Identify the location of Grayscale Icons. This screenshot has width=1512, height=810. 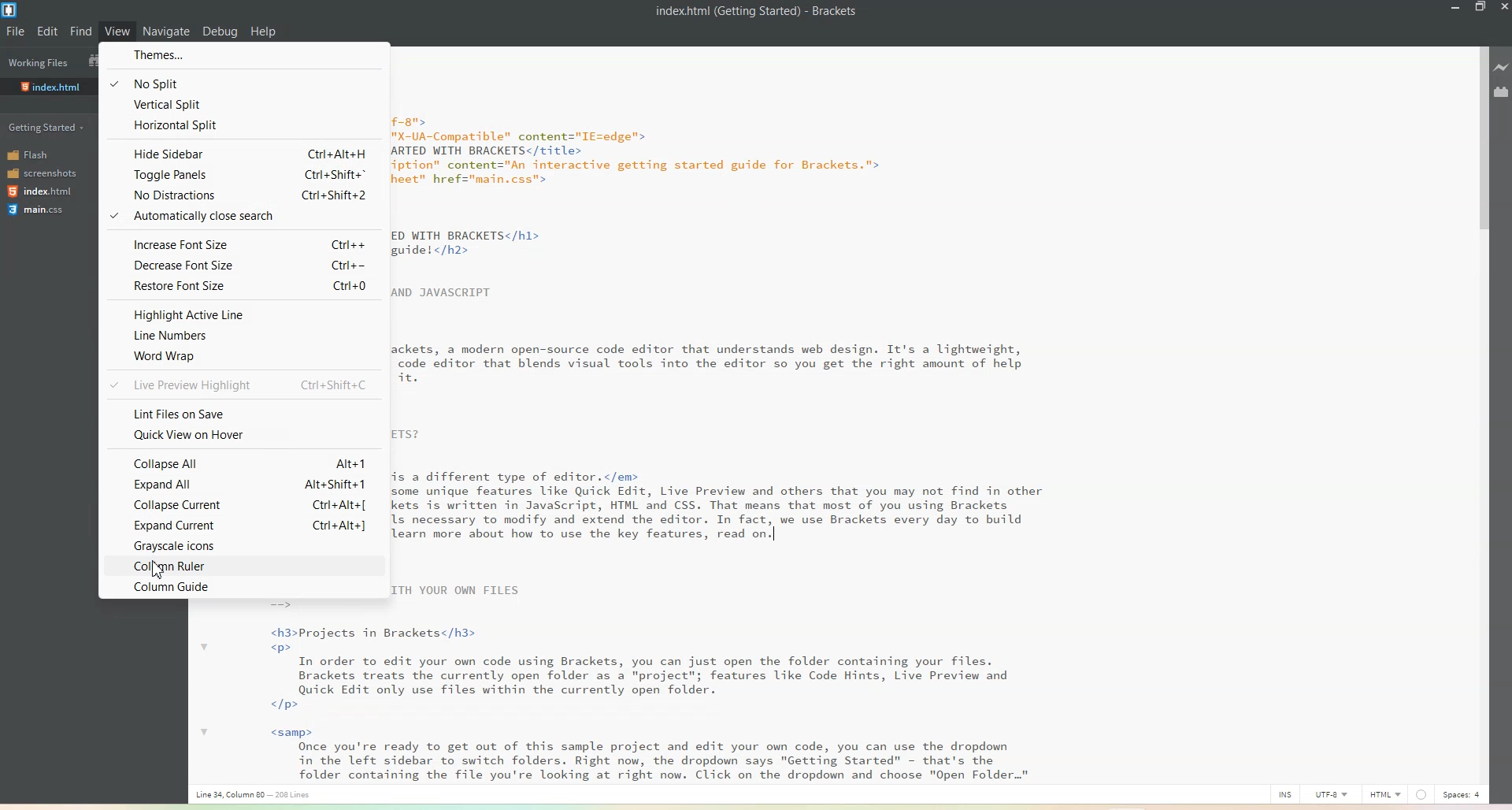
(241, 545).